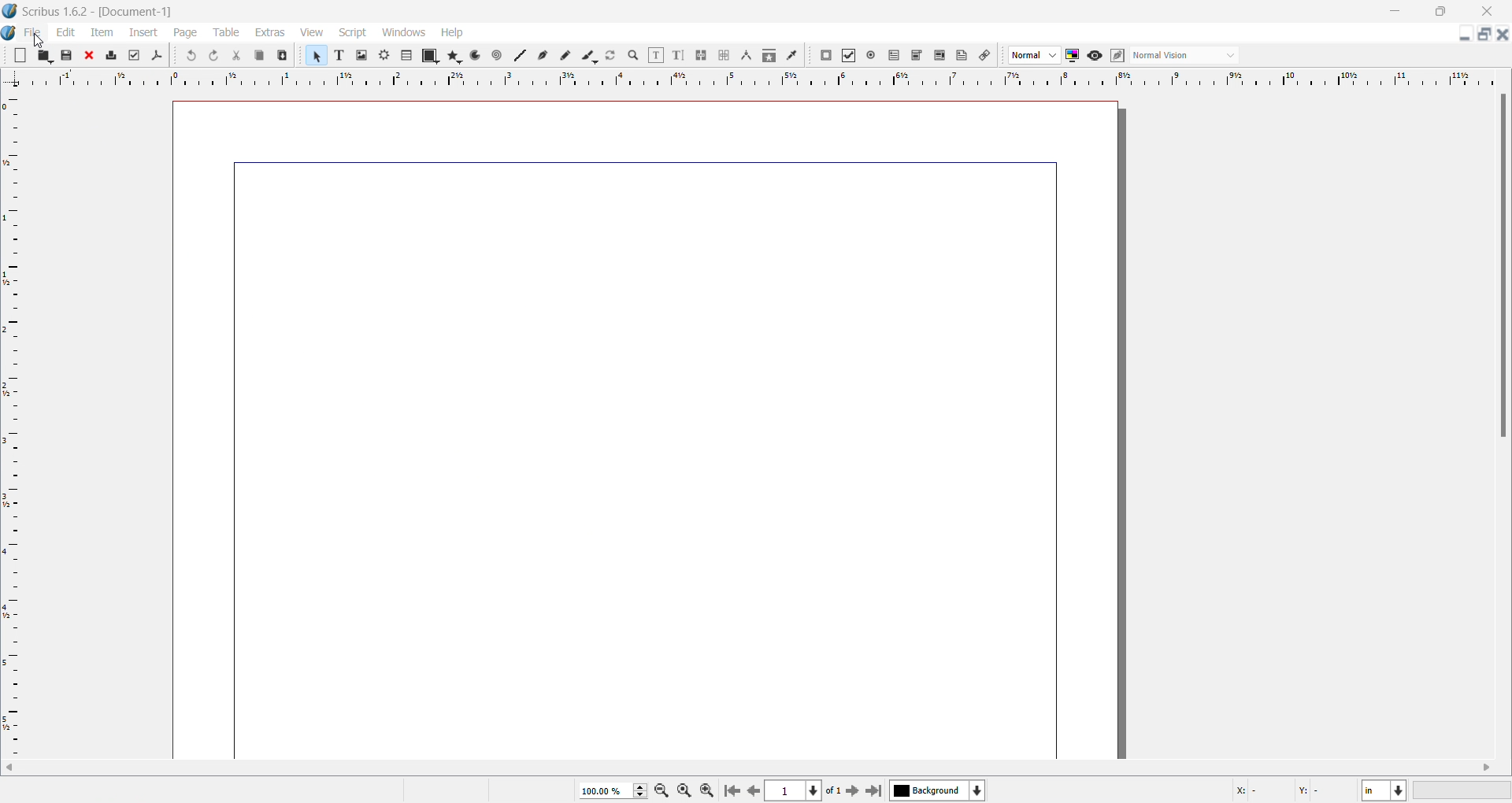 Image resolution: width=1512 pixels, height=803 pixels. What do you see at coordinates (455, 33) in the screenshot?
I see `Help` at bounding box center [455, 33].